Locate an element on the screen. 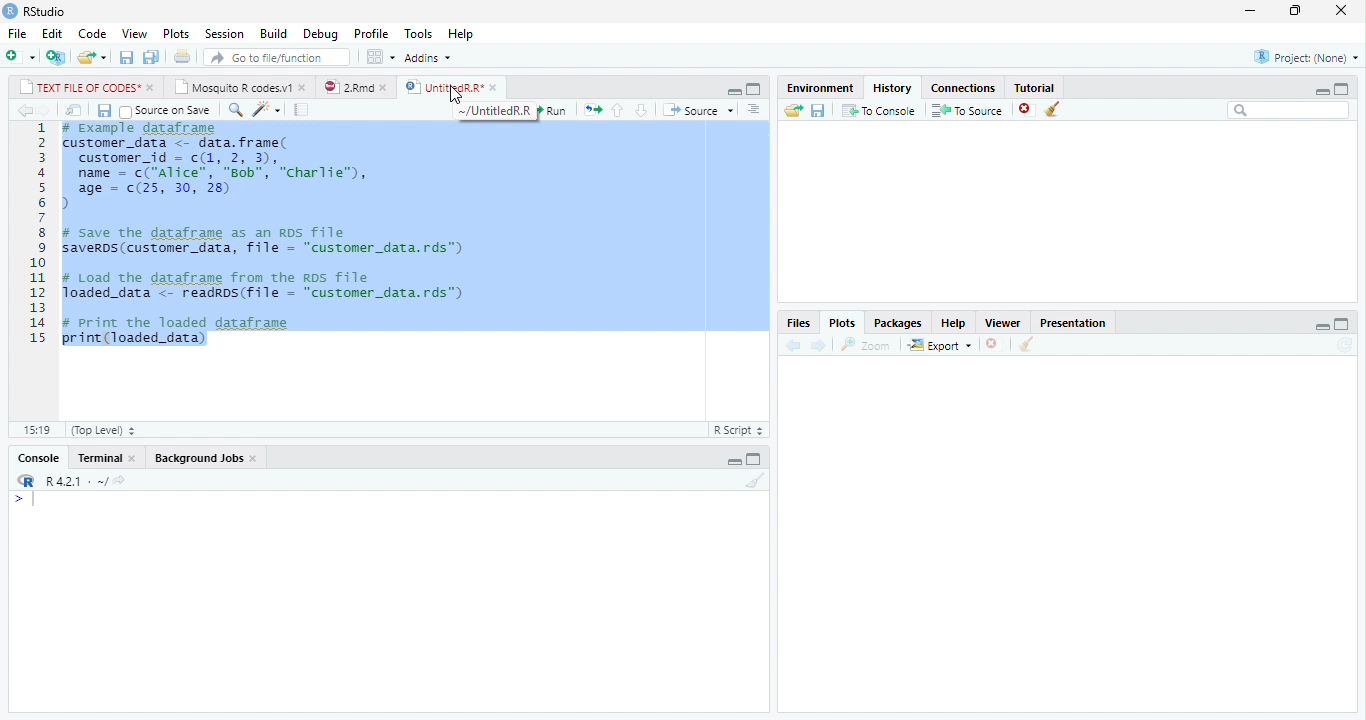  To Source is located at coordinates (966, 110).